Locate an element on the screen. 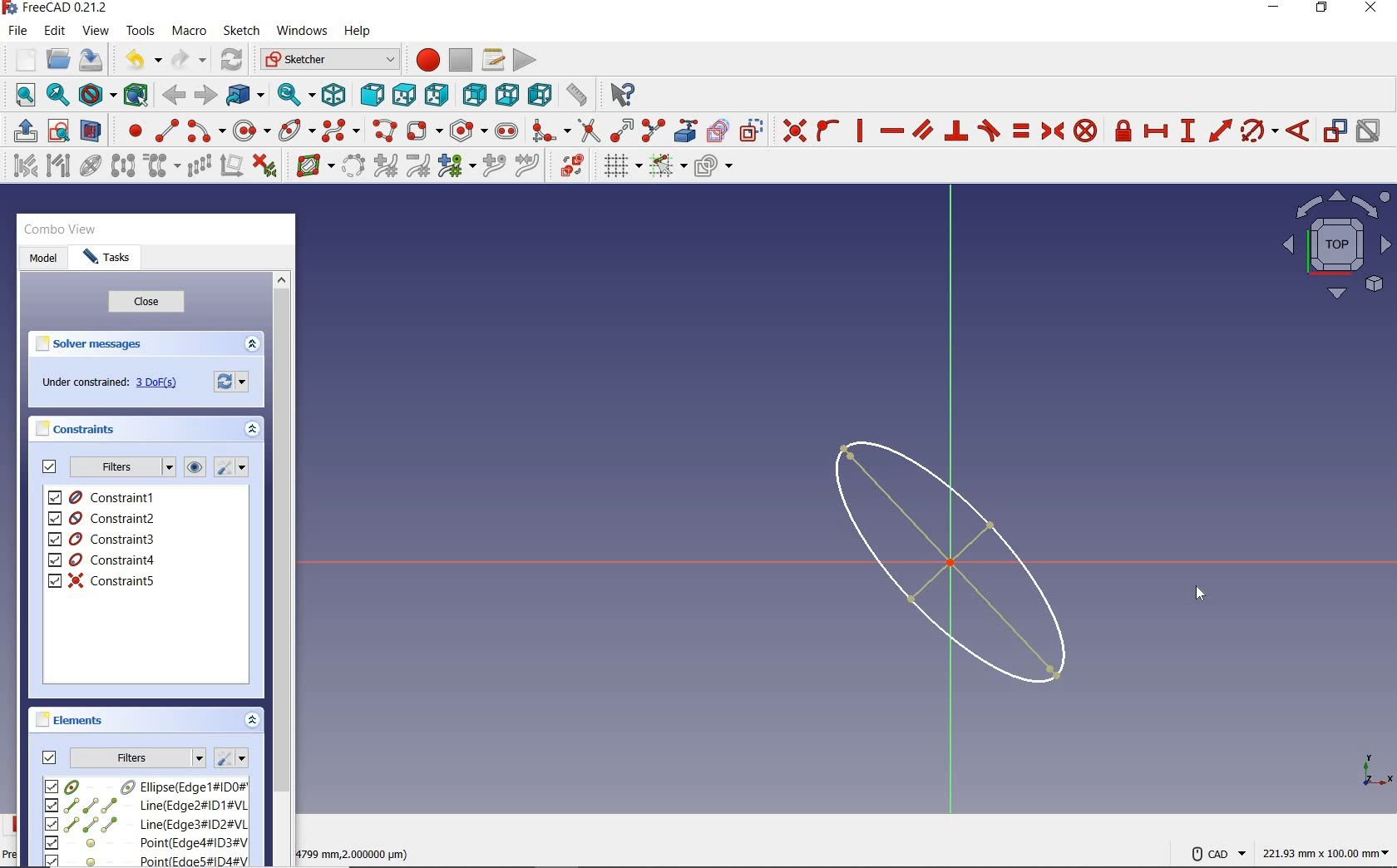 This screenshot has height=868, width=1397. extend edge is located at coordinates (622, 129).